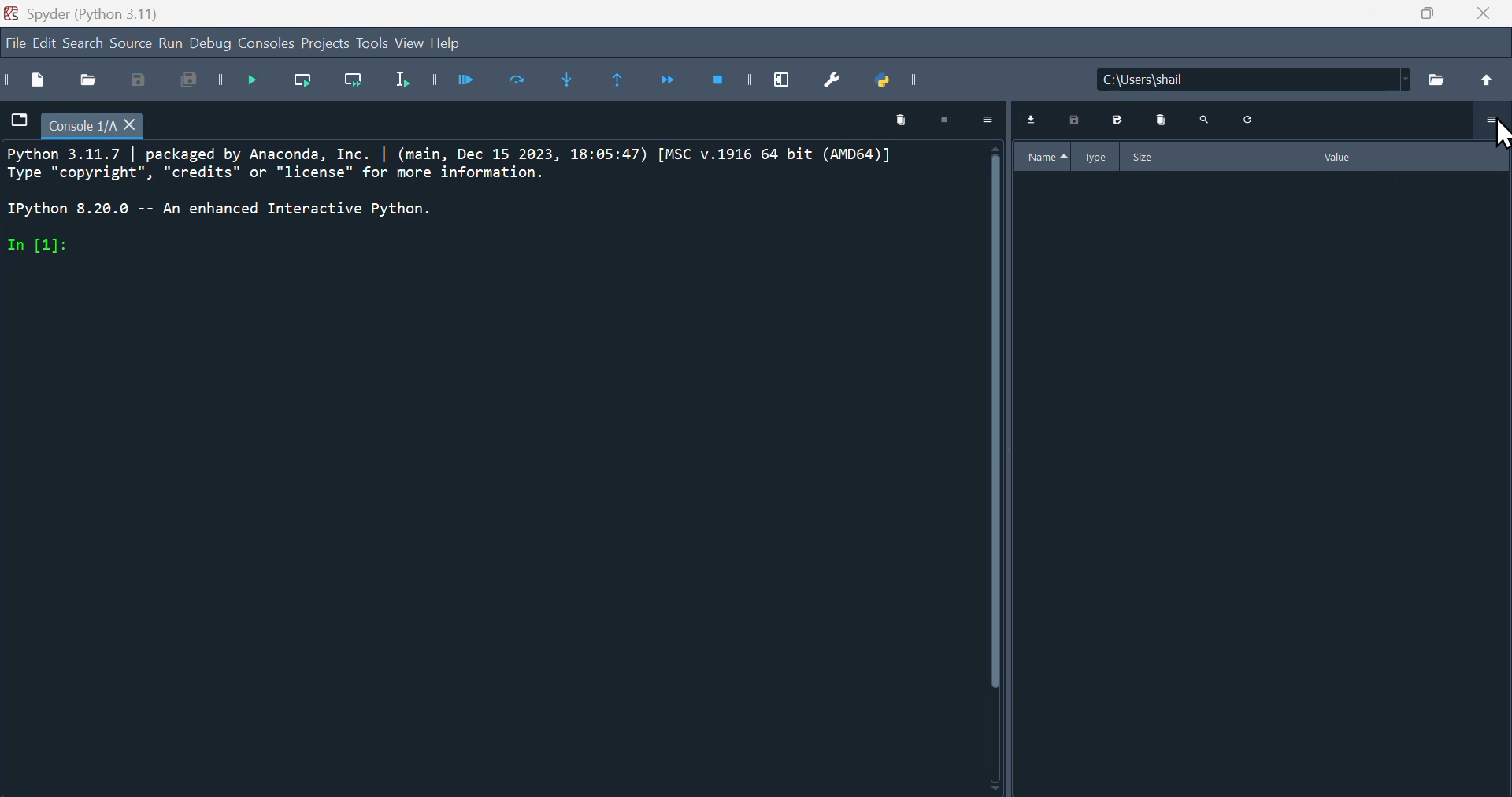  I want to click on Save, so click(1071, 121).